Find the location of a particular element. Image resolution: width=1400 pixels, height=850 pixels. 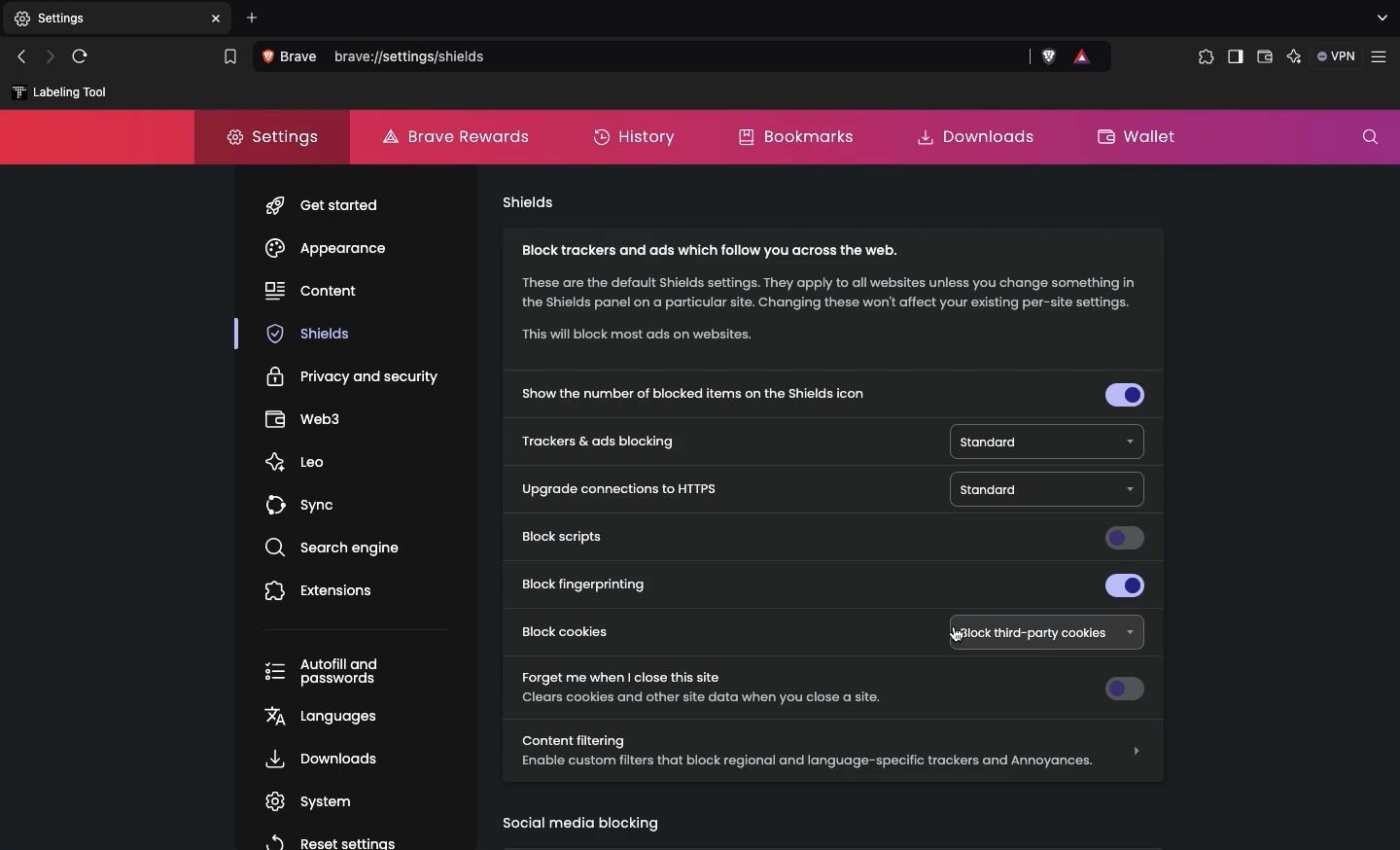

webs3 is located at coordinates (306, 422).